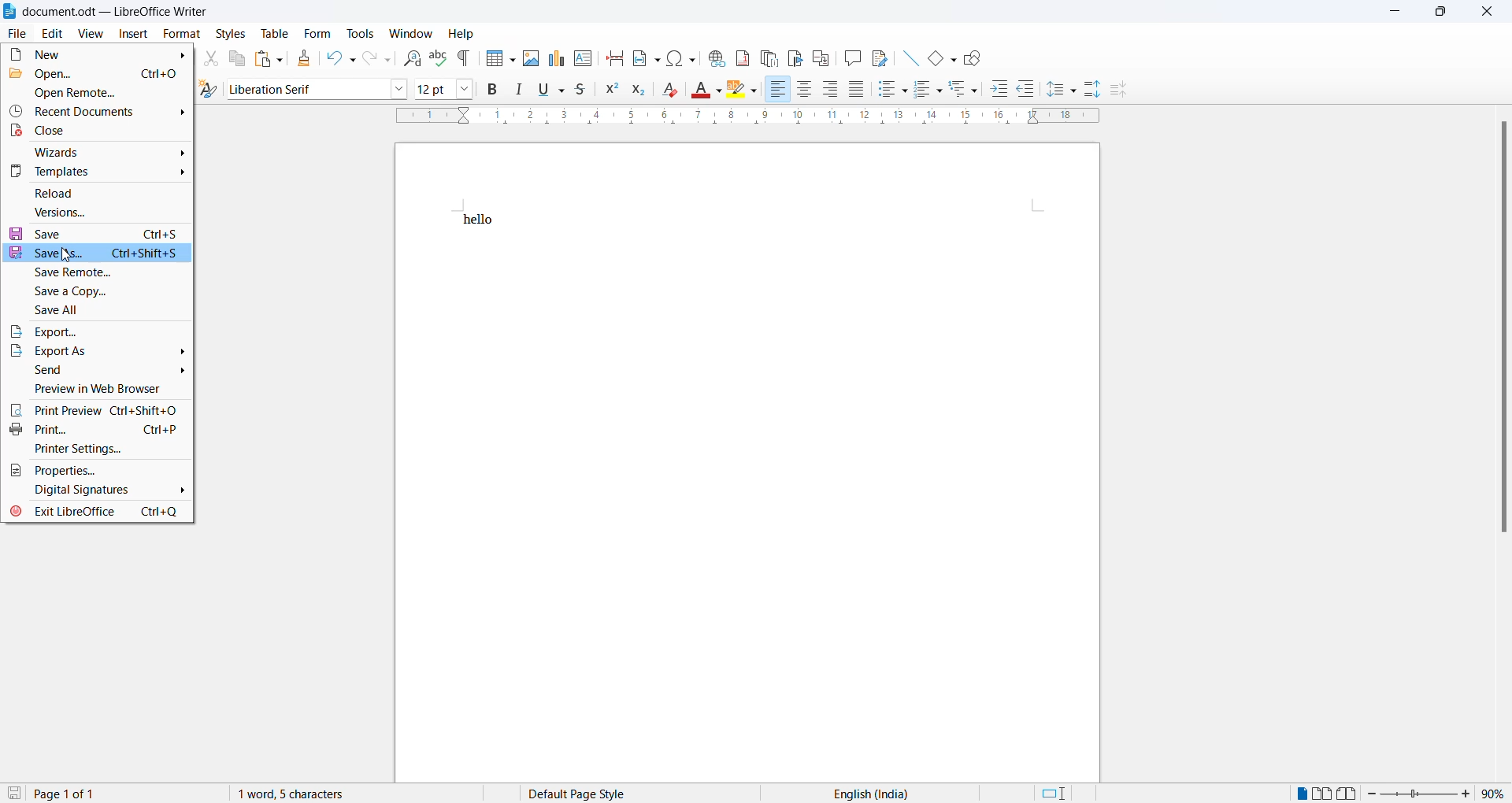  Describe the element at coordinates (528, 58) in the screenshot. I see `Insert image` at that location.